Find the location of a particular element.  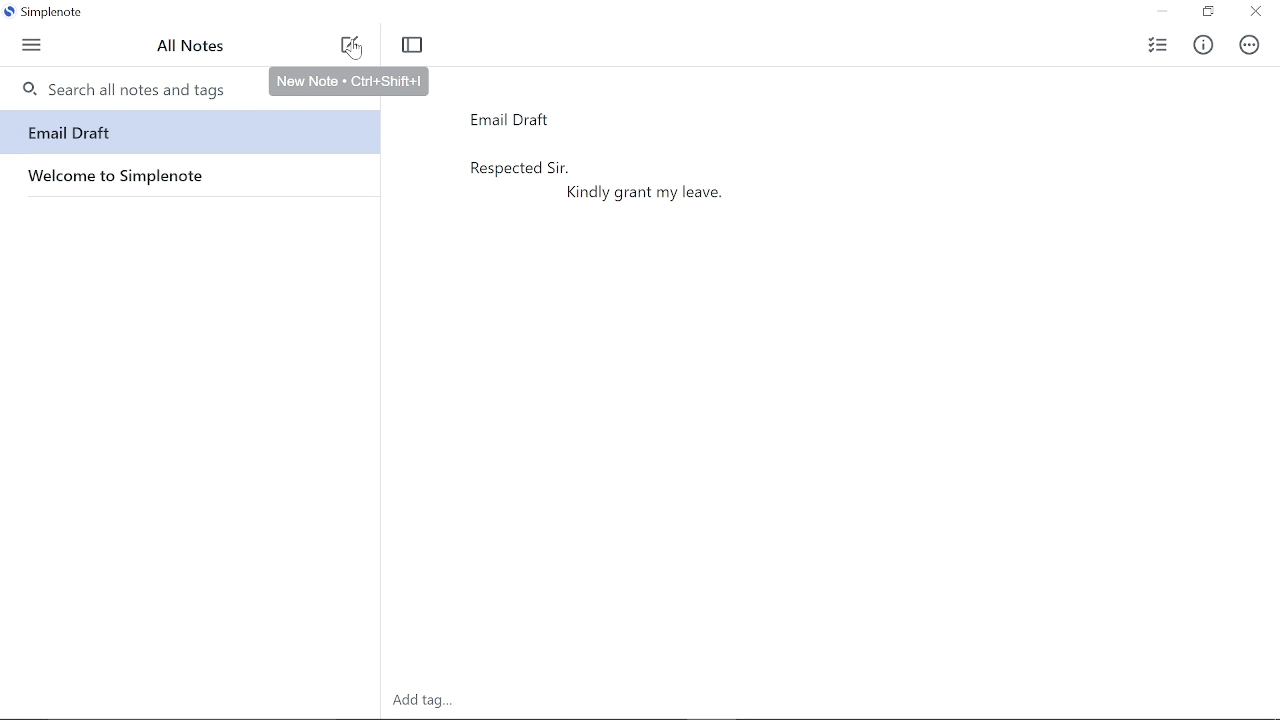

Restore down is located at coordinates (1208, 11).